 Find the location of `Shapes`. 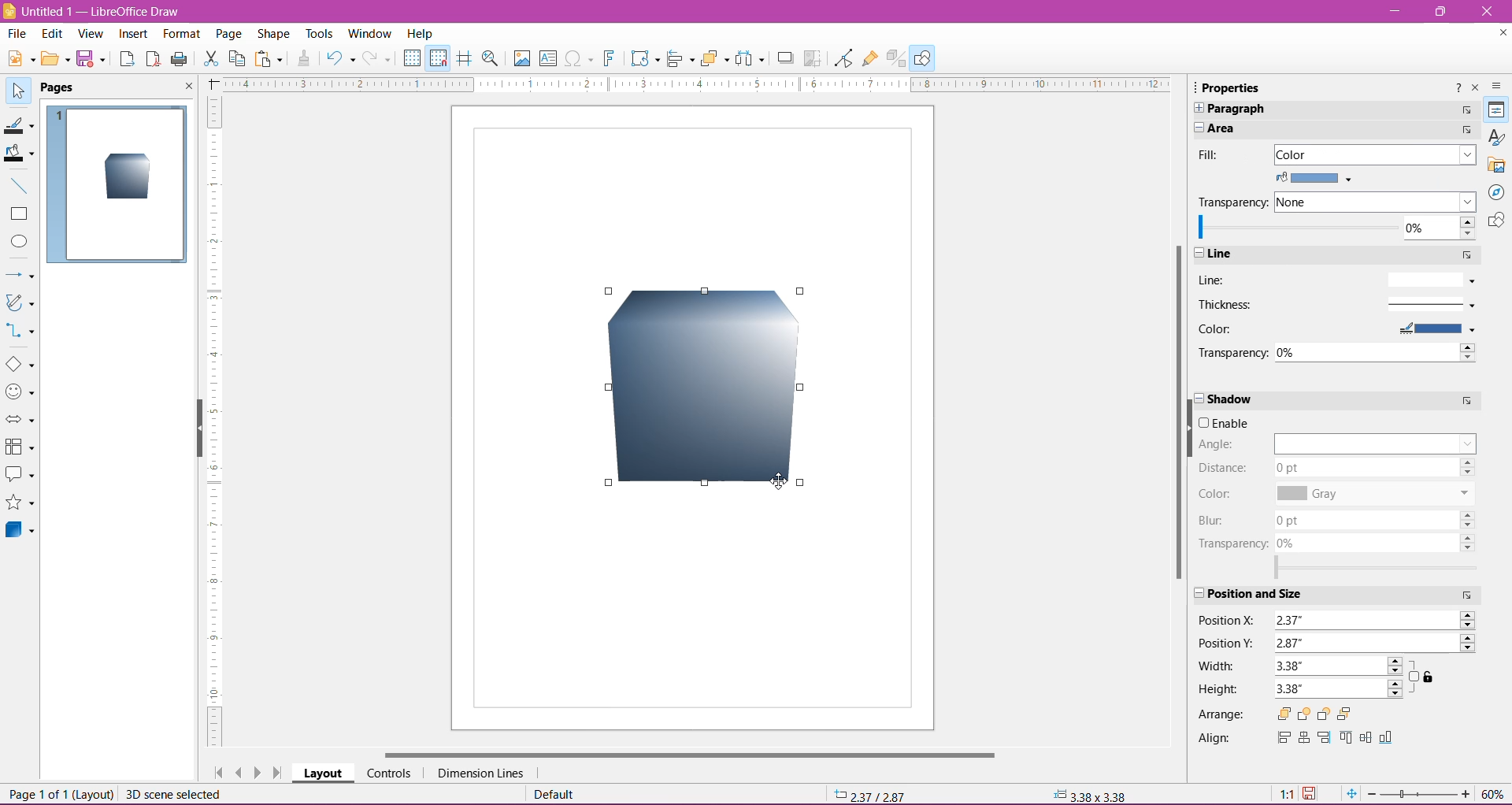

Shapes is located at coordinates (1495, 221).